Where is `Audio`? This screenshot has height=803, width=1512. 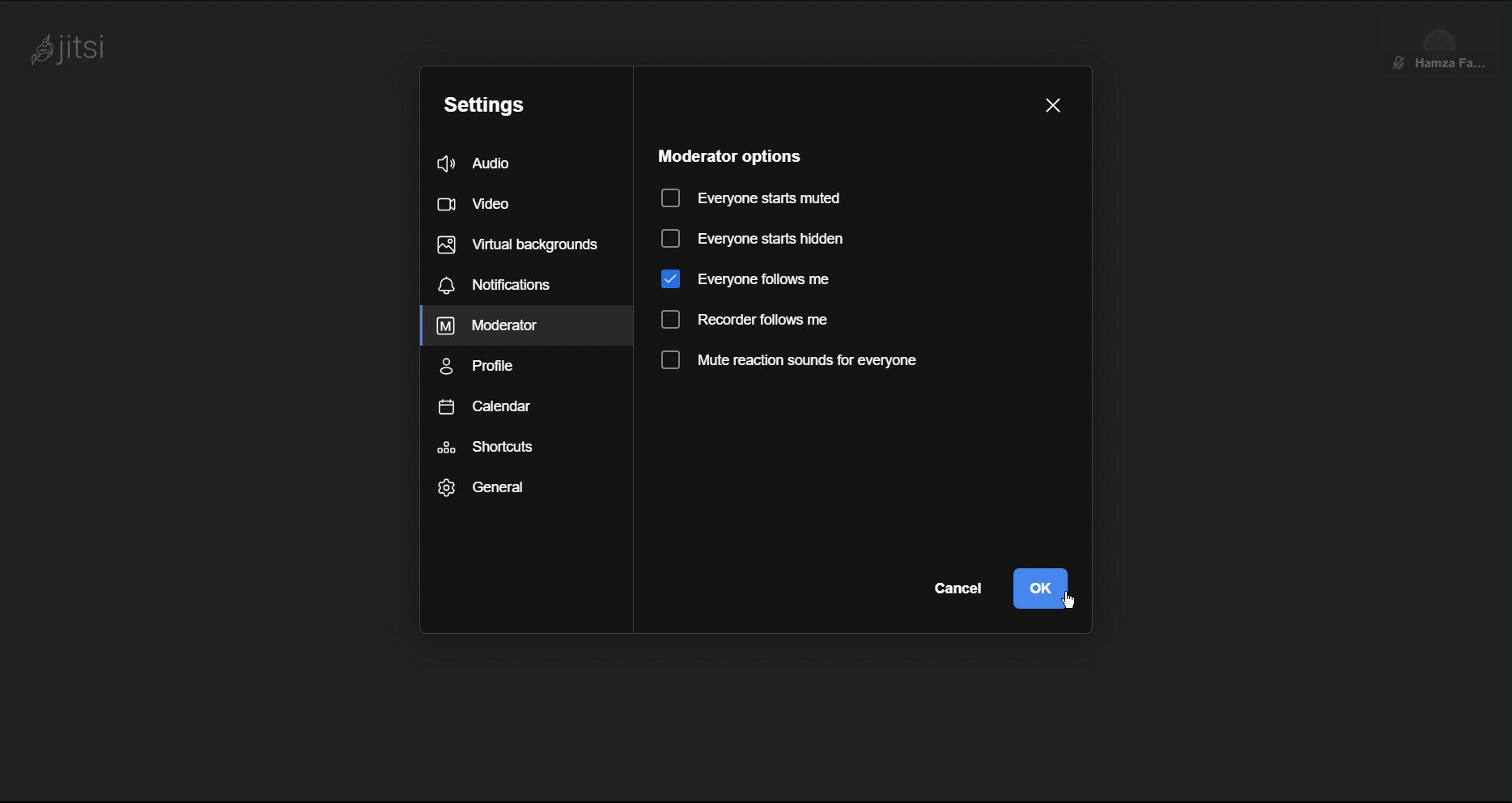 Audio is located at coordinates (495, 164).